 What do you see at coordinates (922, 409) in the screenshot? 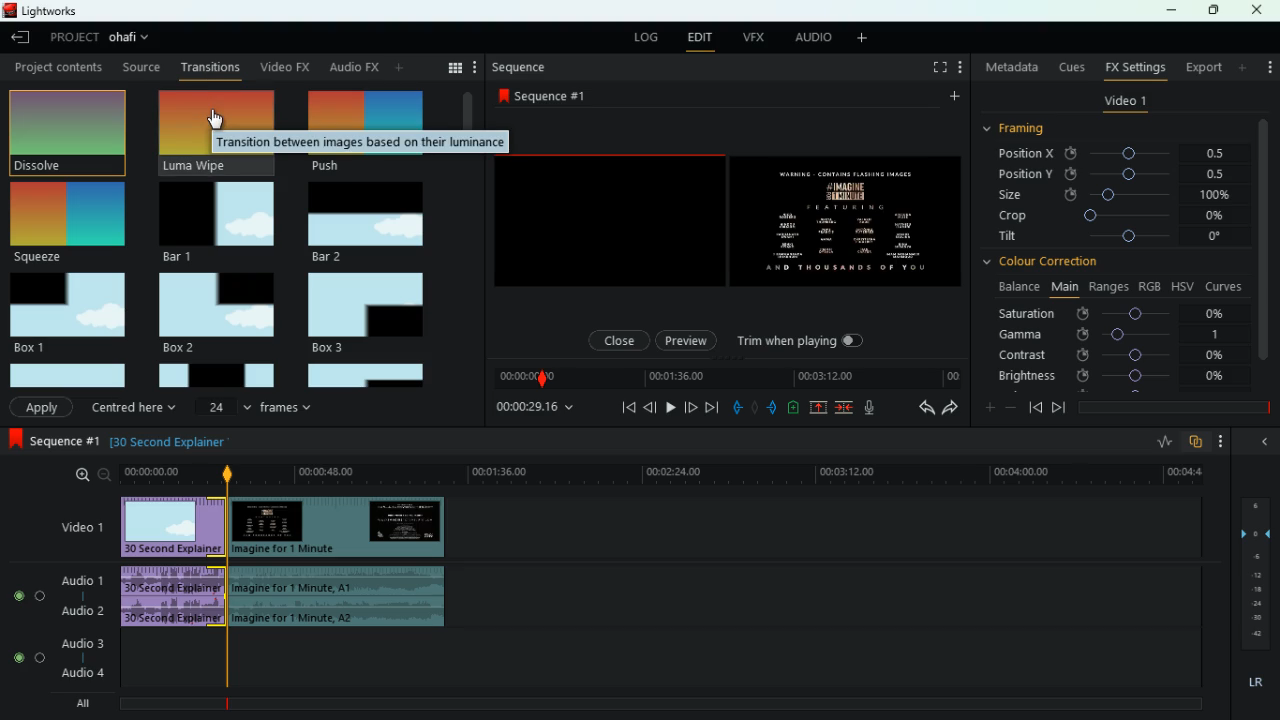
I see `back` at bounding box center [922, 409].